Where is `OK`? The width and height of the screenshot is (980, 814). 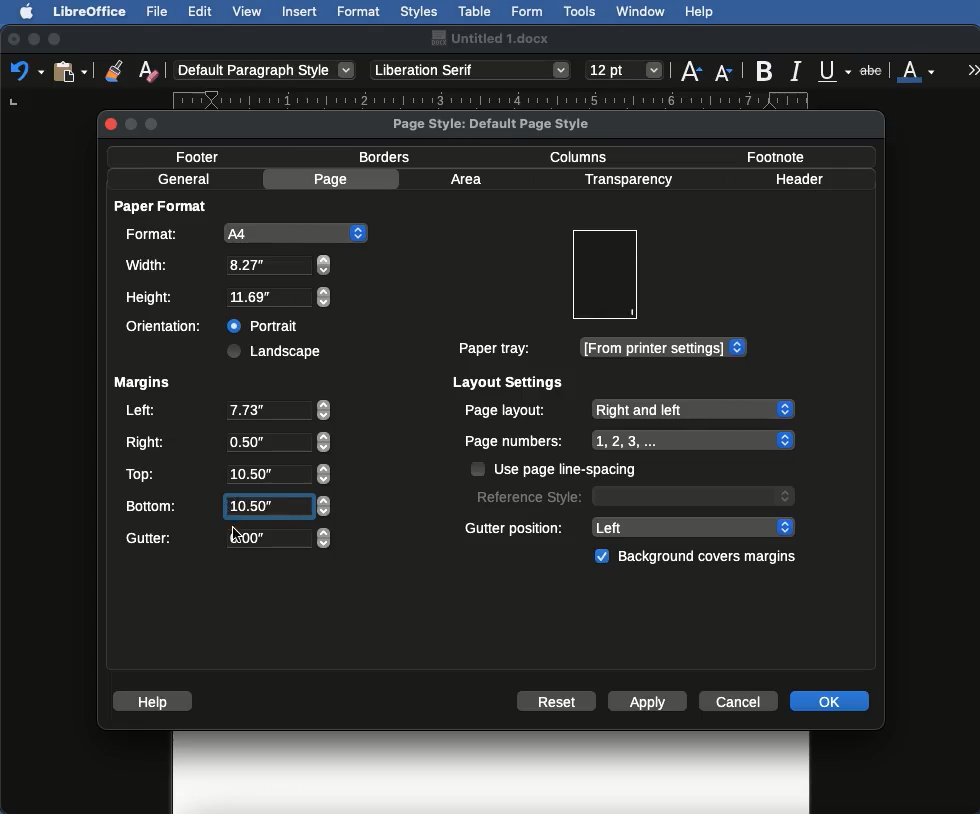 OK is located at coordinates (829, 700).